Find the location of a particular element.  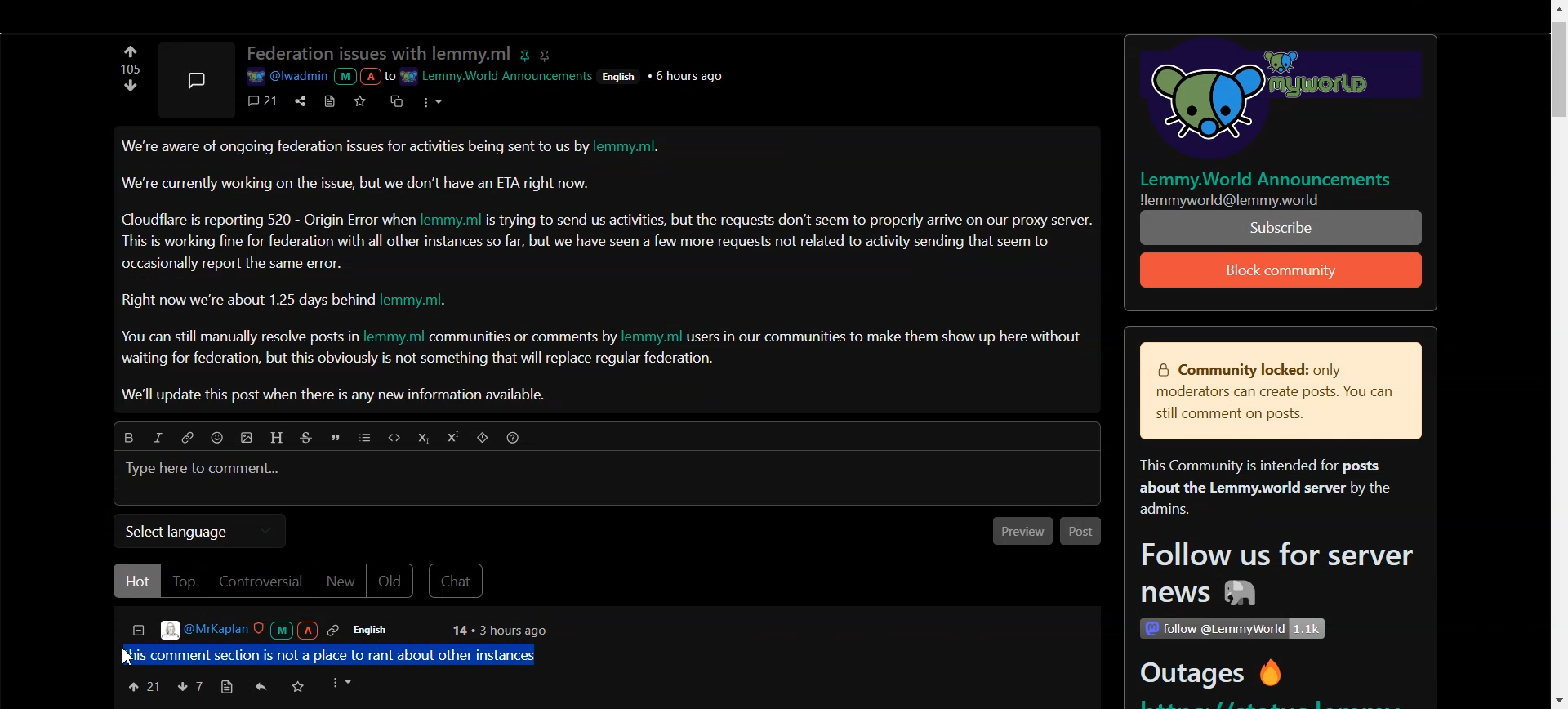

Old is located at coordinates (393, 582).